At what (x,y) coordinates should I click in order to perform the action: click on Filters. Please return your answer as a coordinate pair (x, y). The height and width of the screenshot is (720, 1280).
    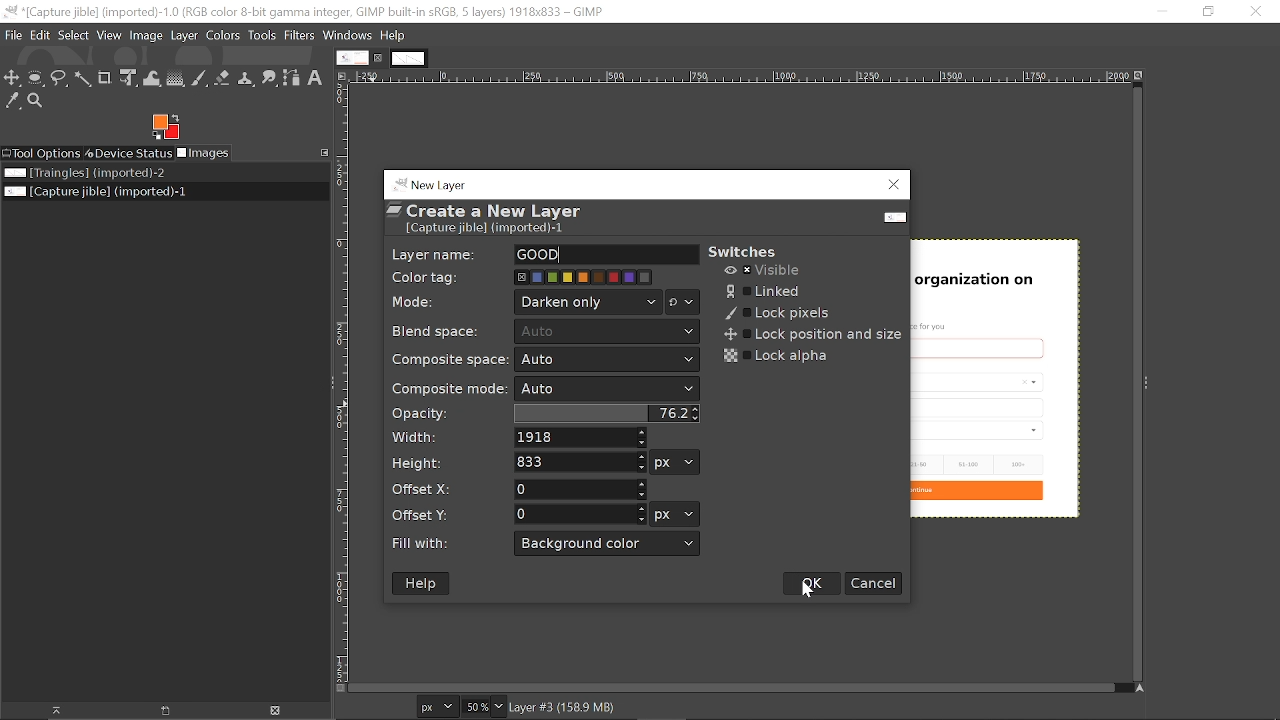
    Looking at the image, I should click on (302, 36).